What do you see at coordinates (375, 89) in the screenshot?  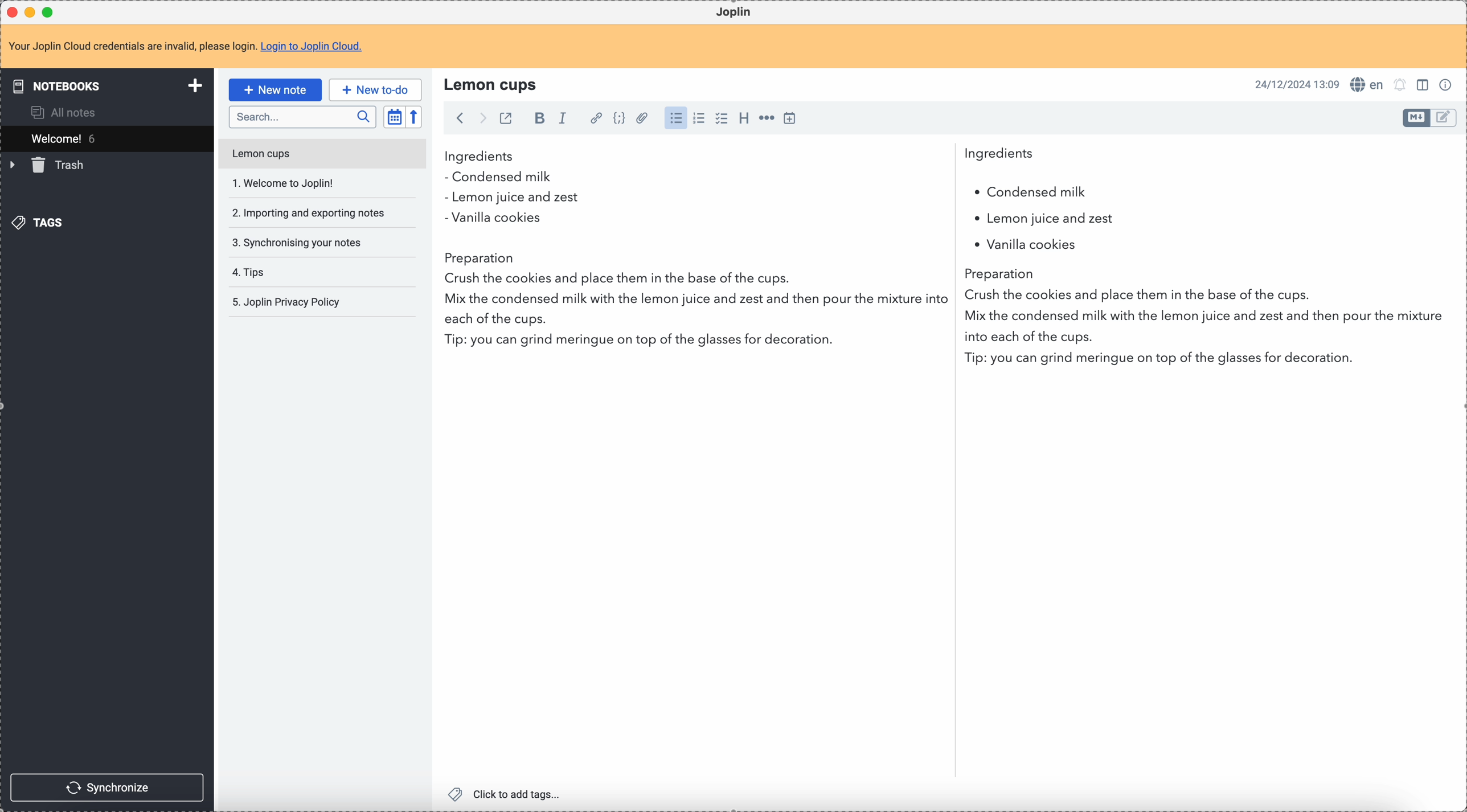 I see `new to-do` at bounding box center [375, 89].